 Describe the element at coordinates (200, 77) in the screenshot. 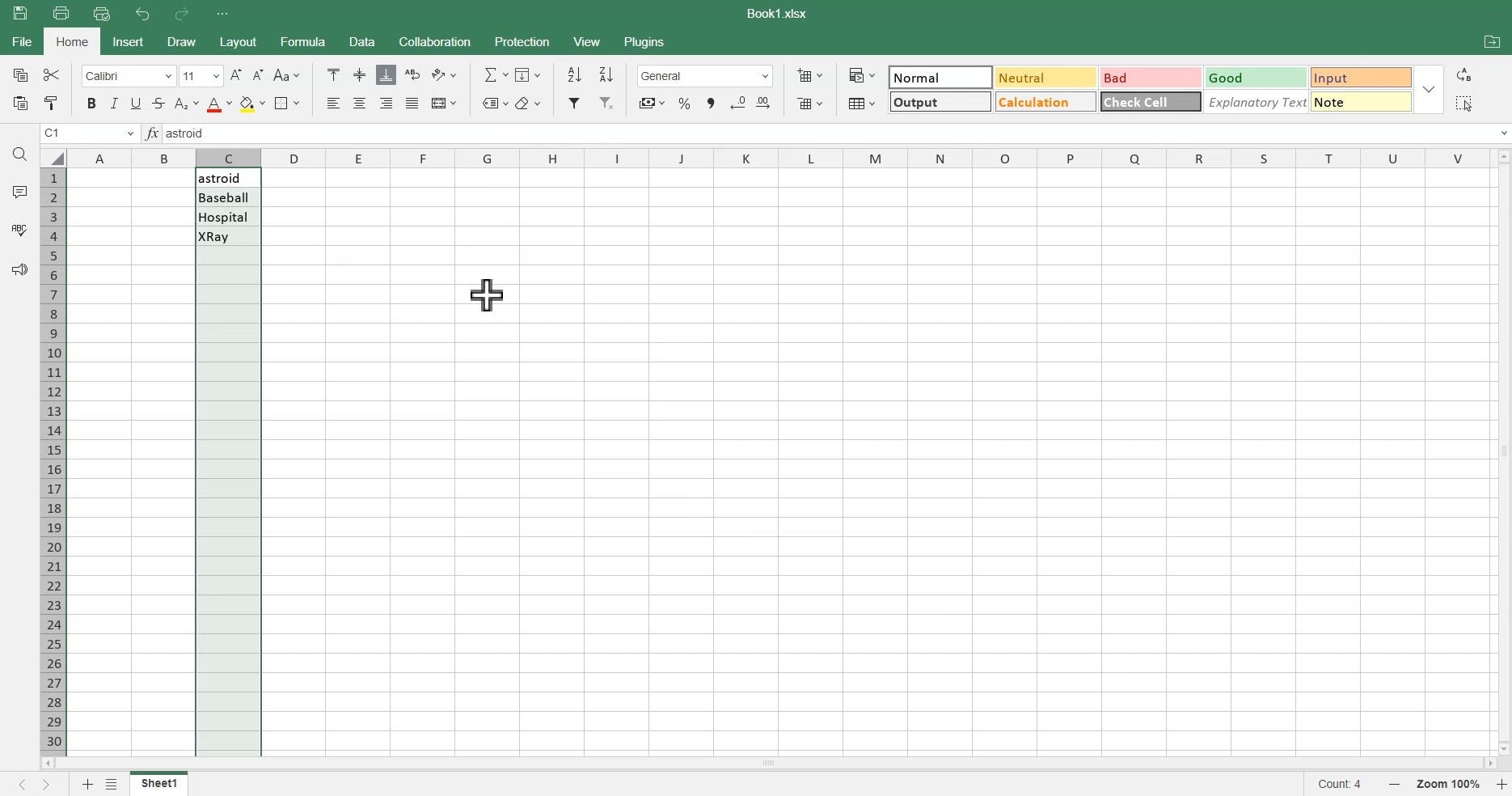

I see `11 (font size)` at that location.